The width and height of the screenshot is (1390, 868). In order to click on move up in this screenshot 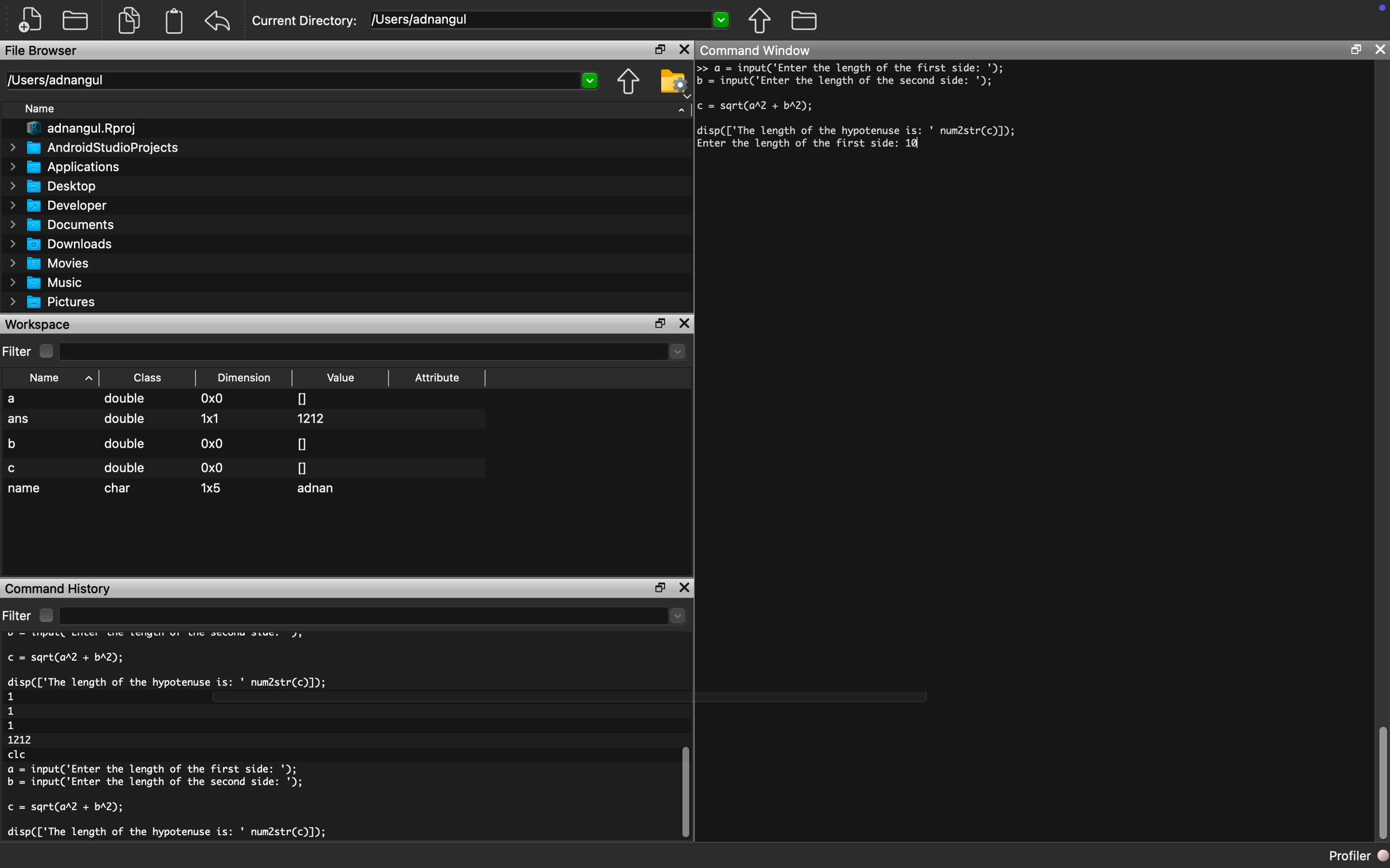, I will do `click(628, 83)`.